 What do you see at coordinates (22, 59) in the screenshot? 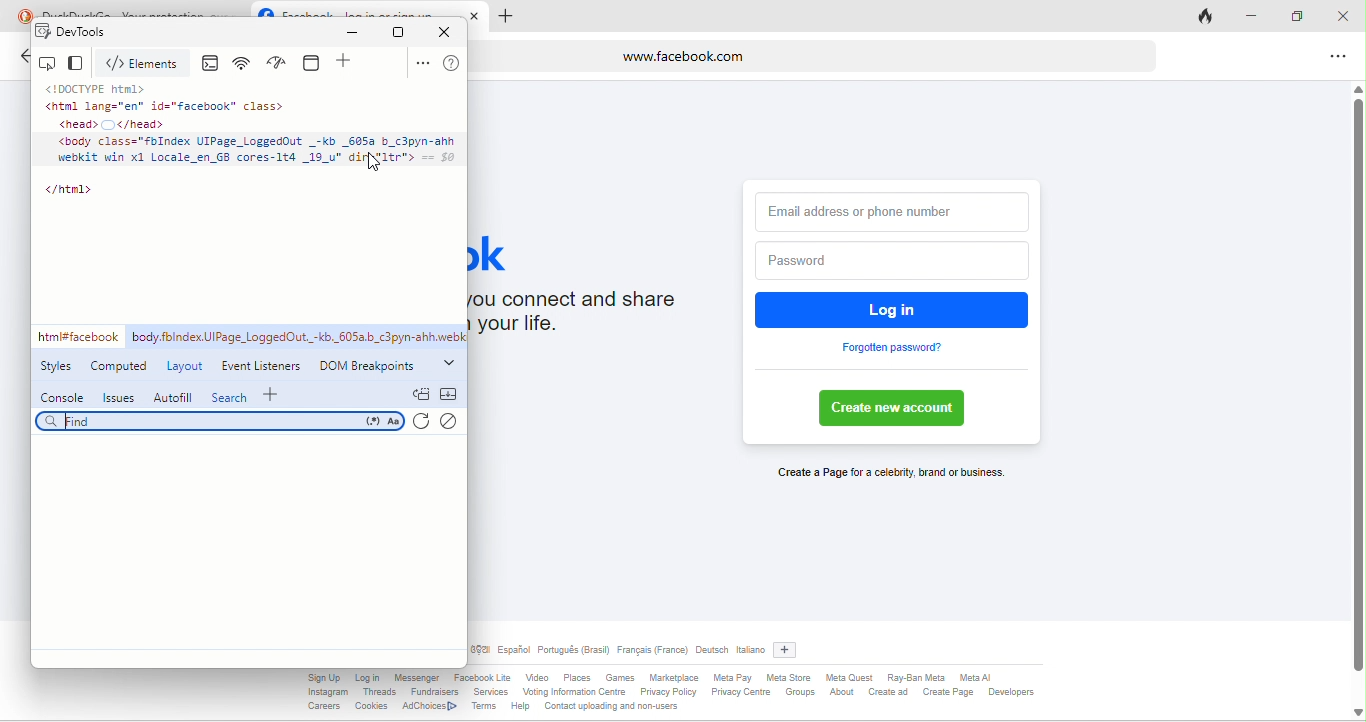
I see `back` at bounding box center [22, 59].